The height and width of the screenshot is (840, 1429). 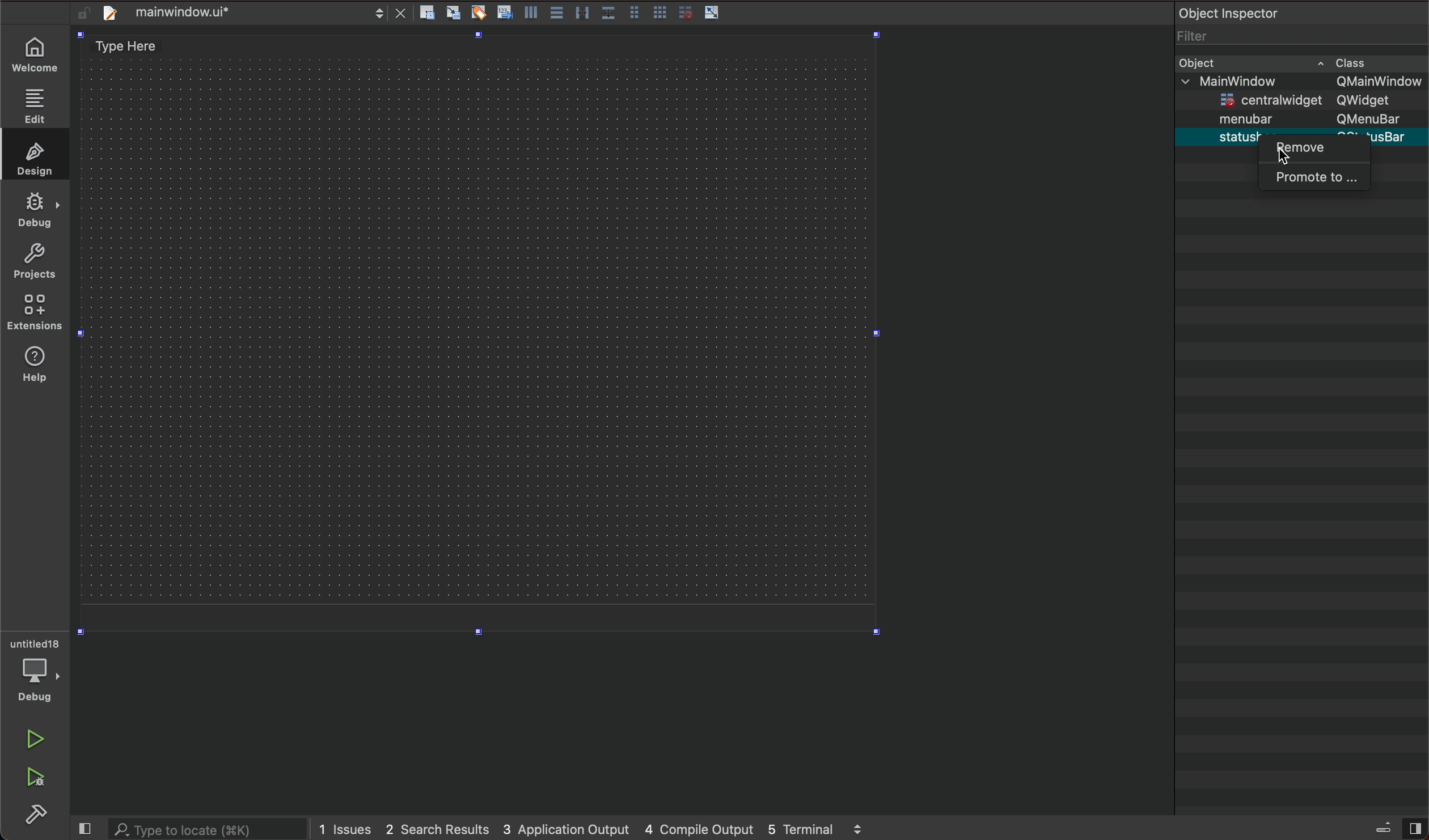 What do you see at coordinates (37, 740) in the screenshot?
I see `run` at bounding box center [37, 740].